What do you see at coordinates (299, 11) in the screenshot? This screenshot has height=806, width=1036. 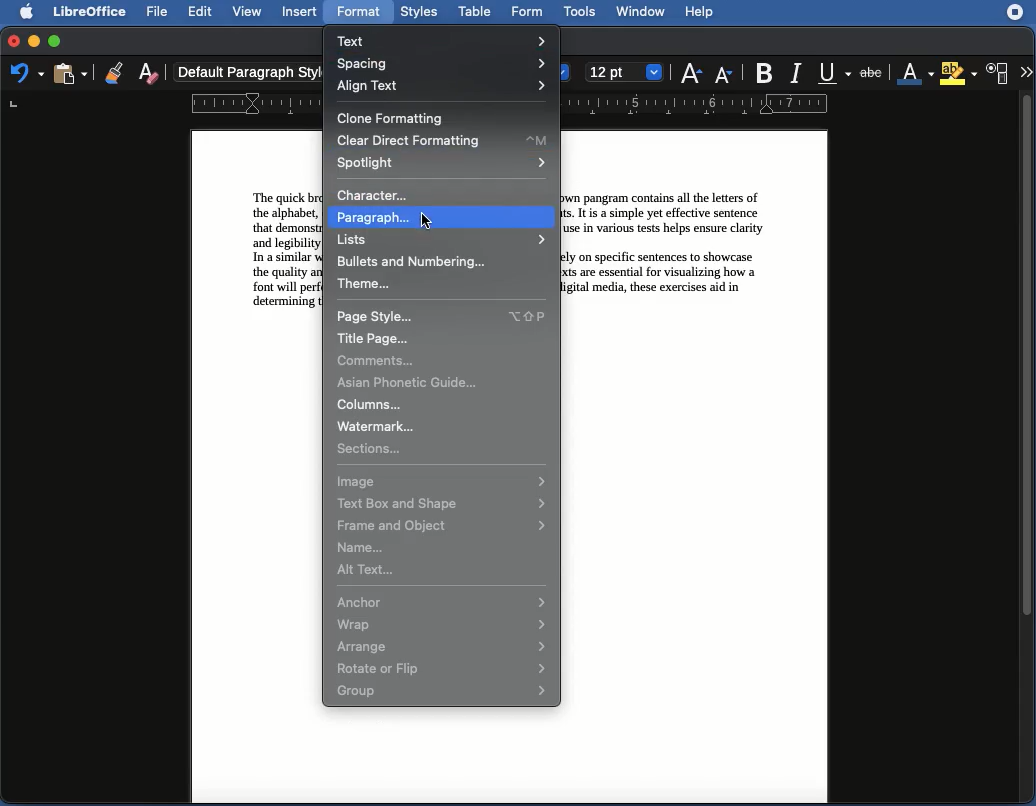 I see `Insert` at bounding box center [299, 11].